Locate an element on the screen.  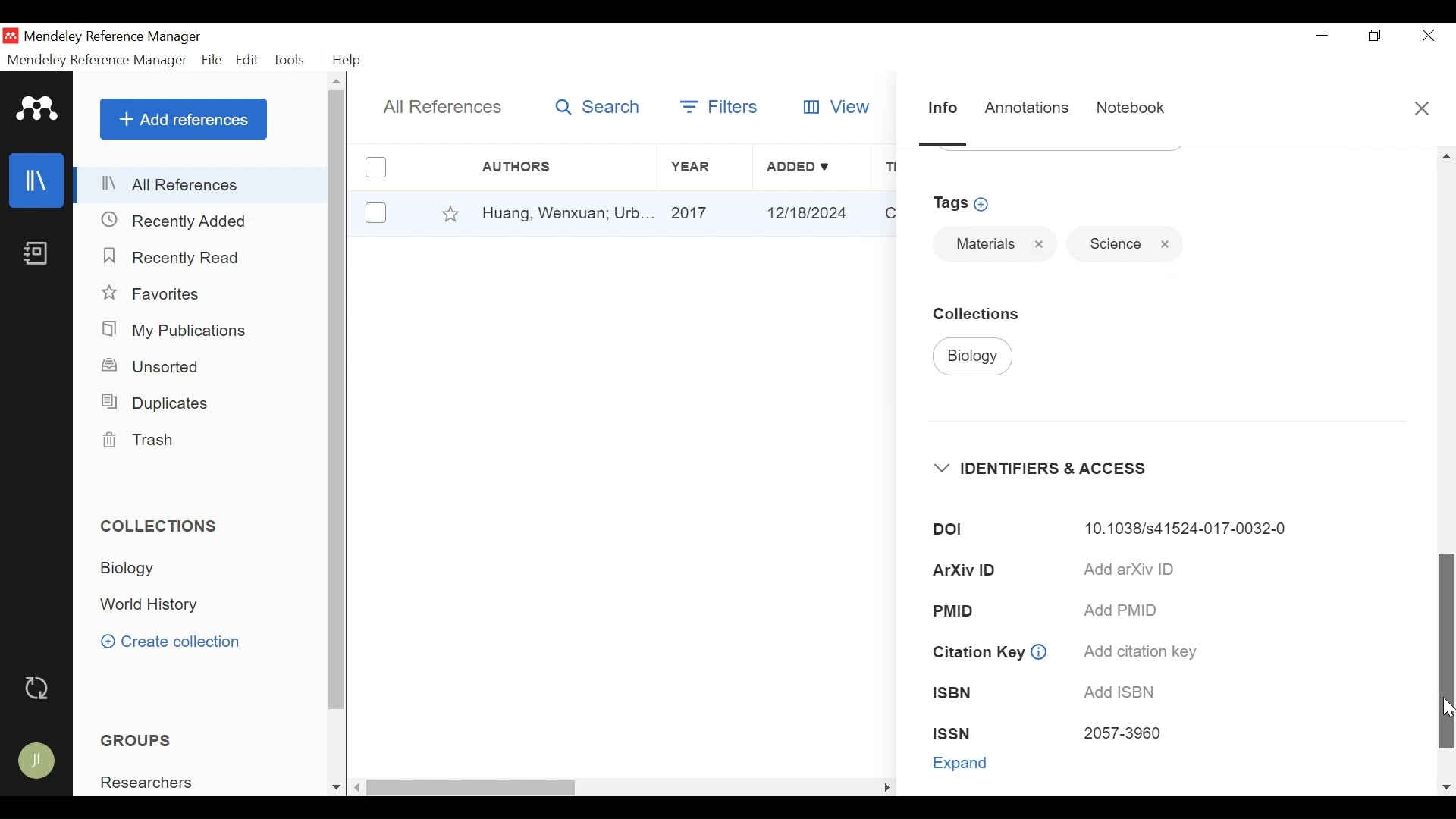
2017 is located at coordinates (706, 214).